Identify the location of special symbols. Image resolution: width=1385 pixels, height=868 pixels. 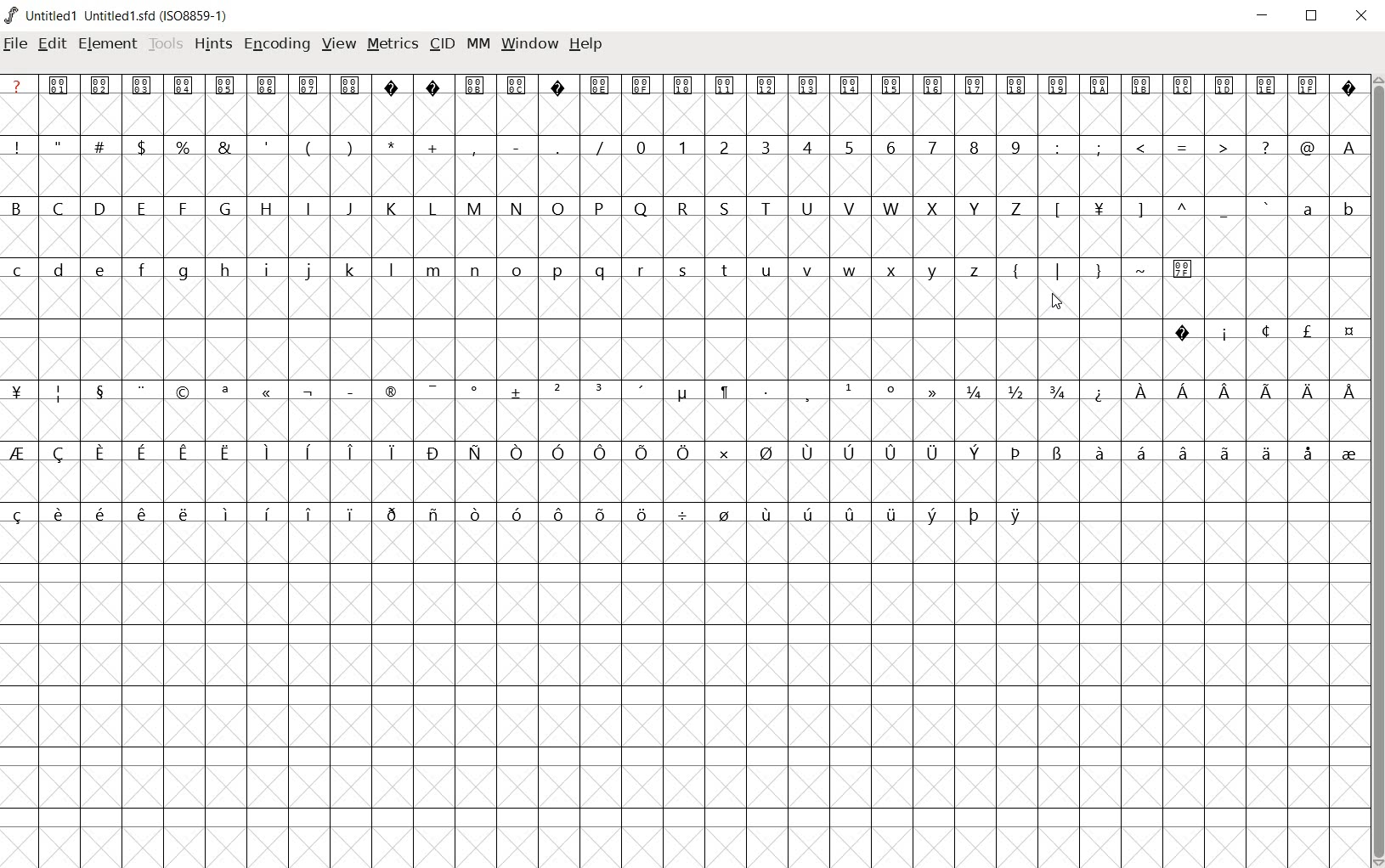
(1257, 332).